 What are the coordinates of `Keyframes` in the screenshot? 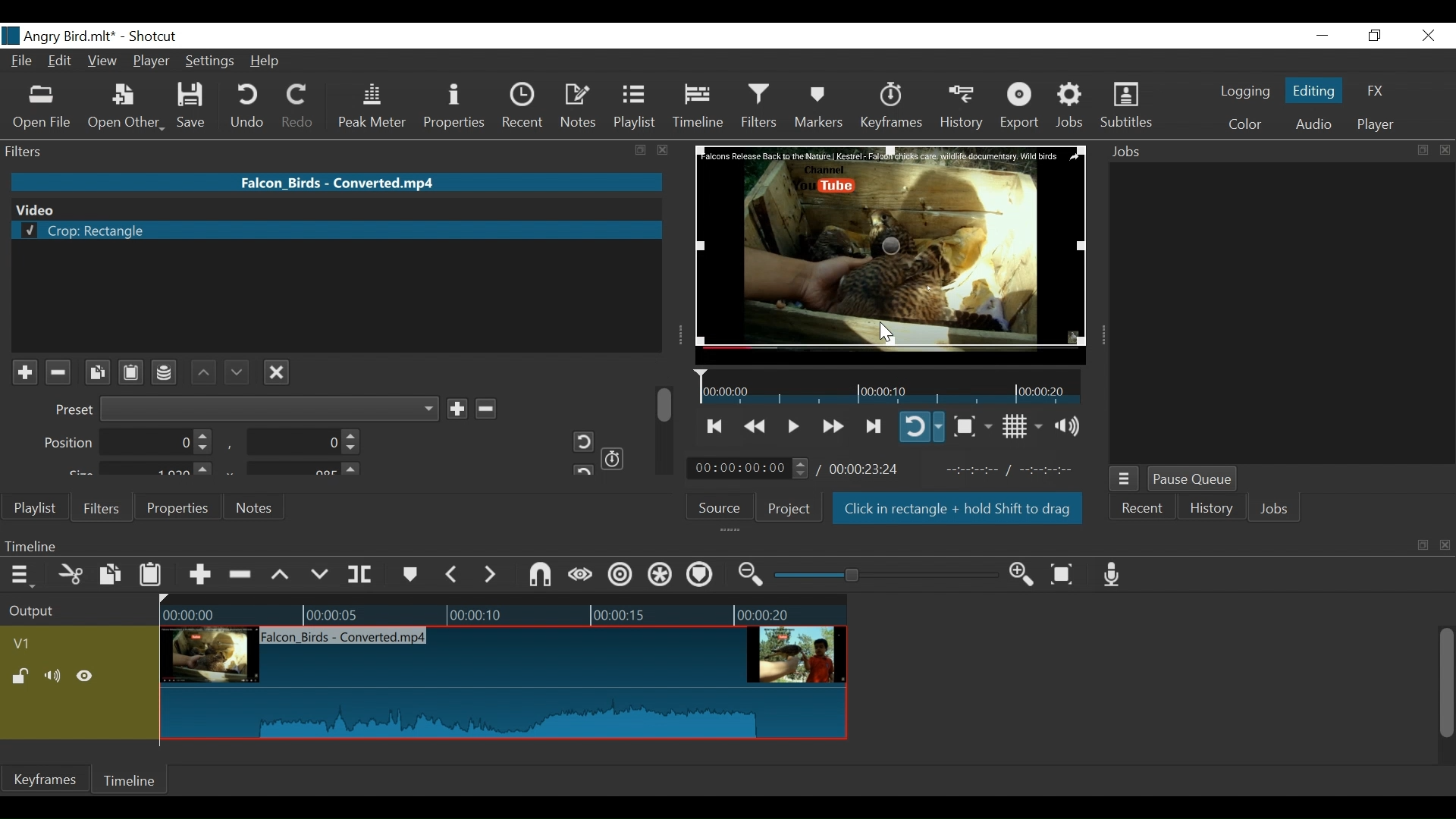 It's located at (890, 106).